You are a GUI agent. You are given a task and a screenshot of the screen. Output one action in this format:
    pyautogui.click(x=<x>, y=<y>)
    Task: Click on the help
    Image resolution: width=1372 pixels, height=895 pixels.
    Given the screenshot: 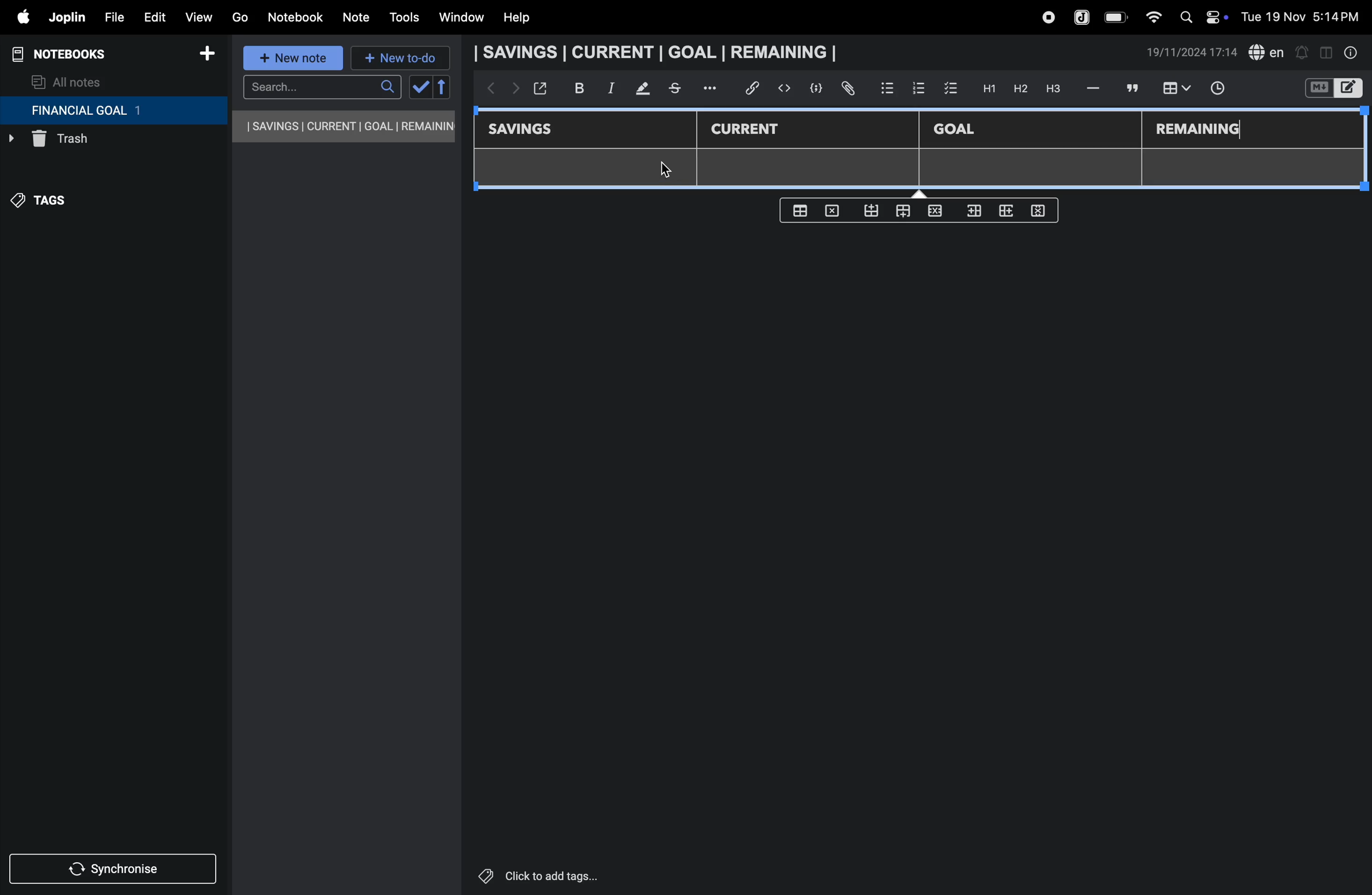 What is the action you would take?
    pyautogui.click(x=525, y=18)
    